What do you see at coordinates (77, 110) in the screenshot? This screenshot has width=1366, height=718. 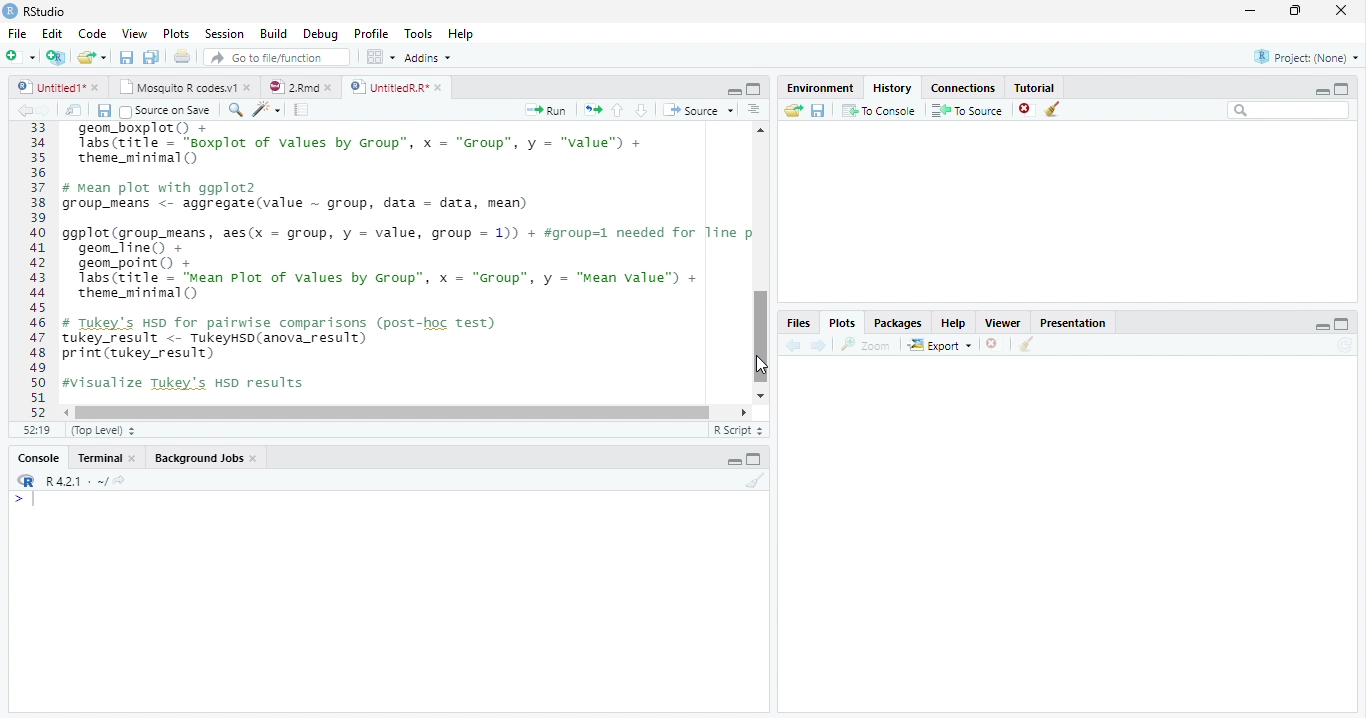 I see `Show in new window` at bounding box center [77, 110].